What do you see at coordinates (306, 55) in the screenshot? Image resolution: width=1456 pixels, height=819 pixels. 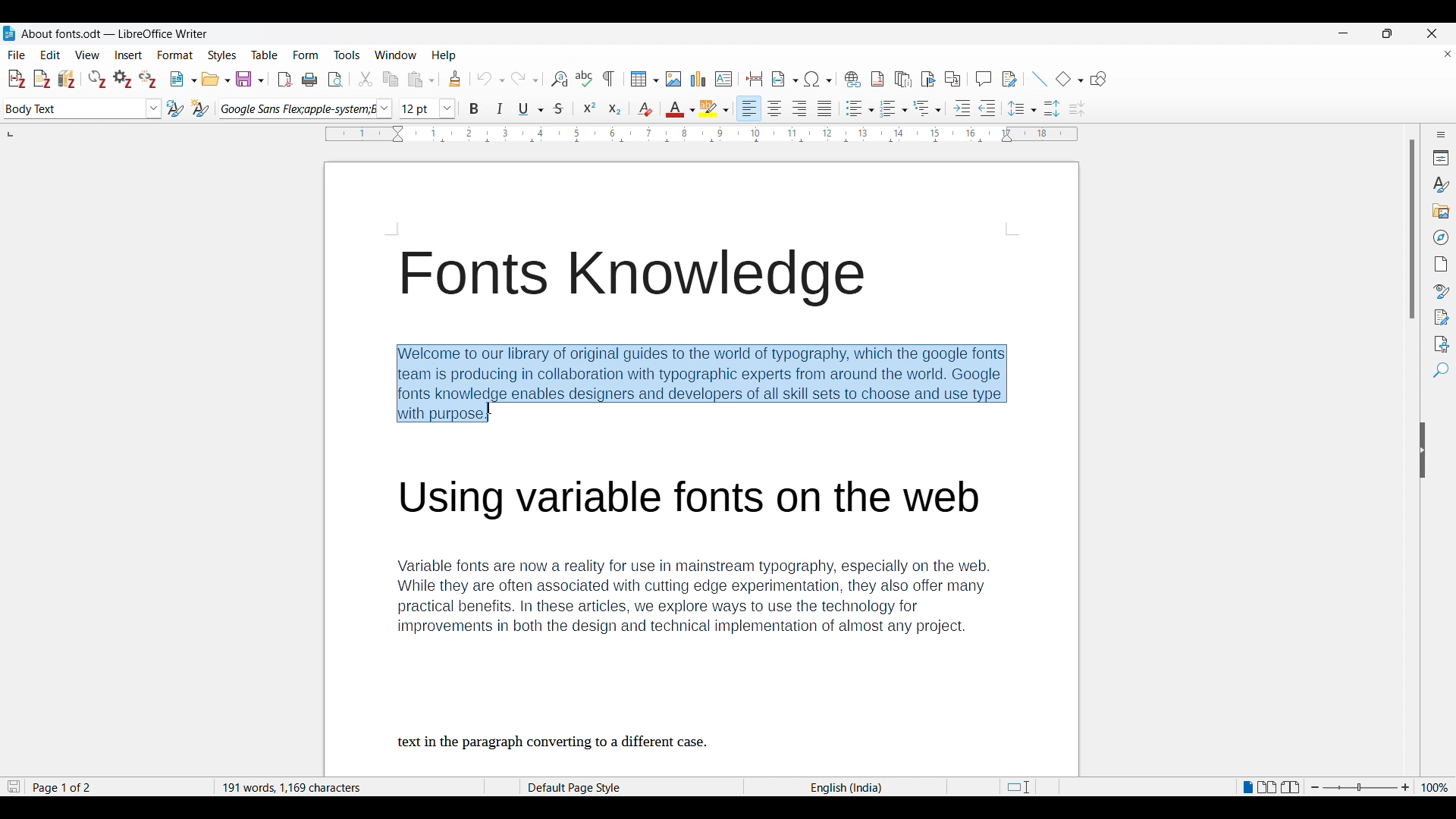 I see `Form menu` at bounding box center [306, 55].